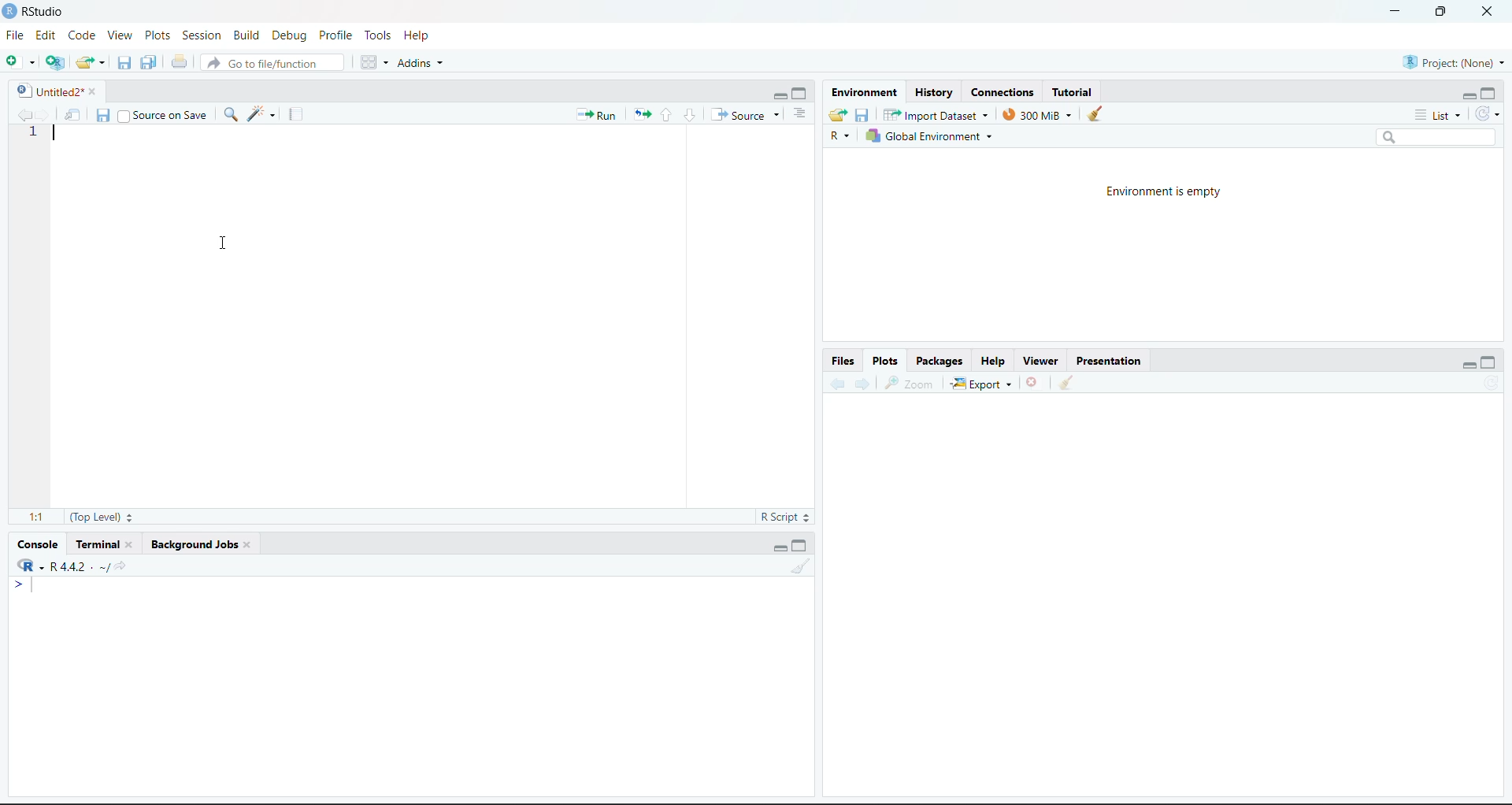 The height and width of the screenshot is (805, 1512). Describe the element at coordinates (89, 61) in the screenshot. I see `open an existing file` at that location.